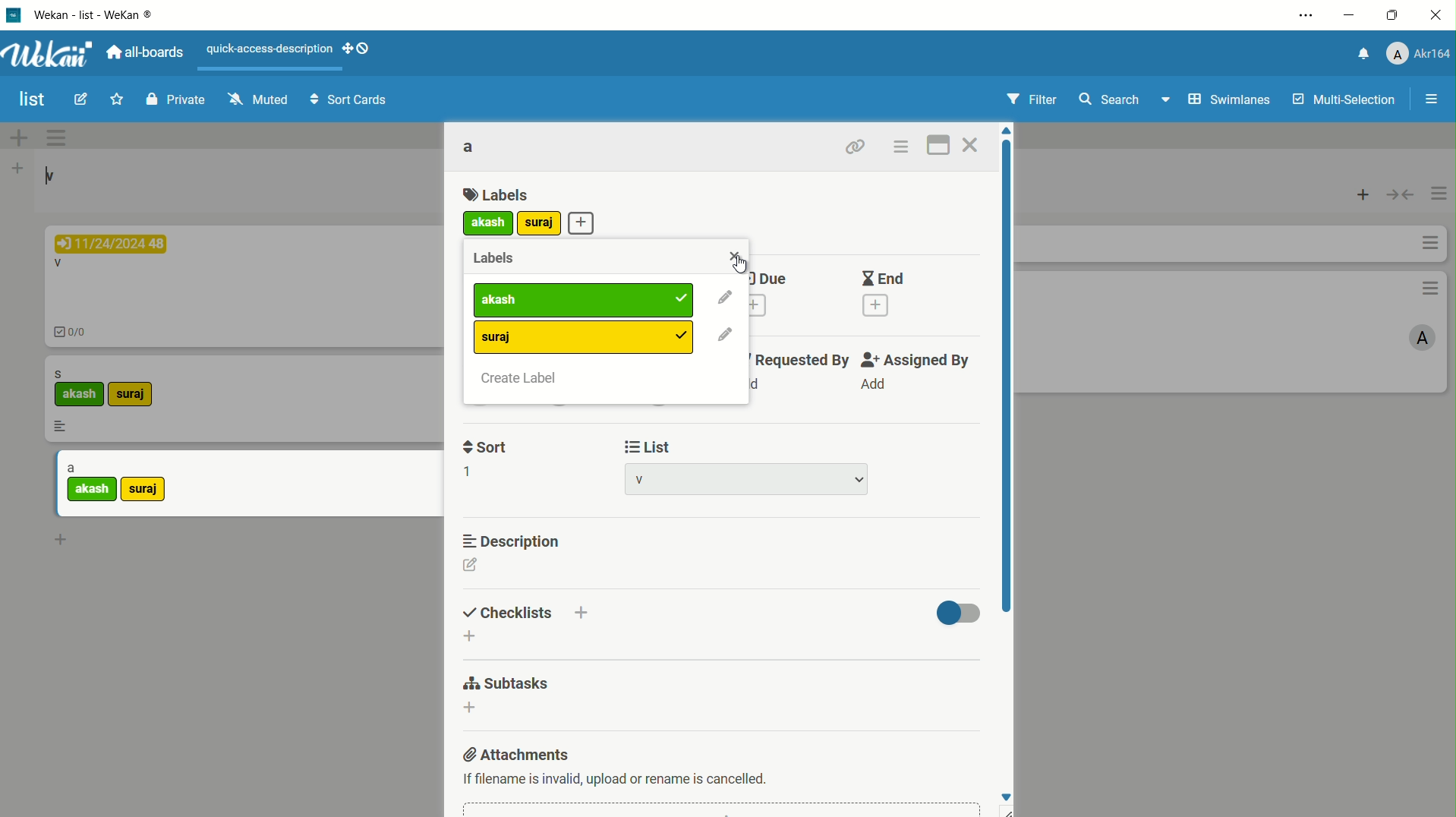 The height and width of the screenshot is (817, 1456). Describe the element at coordinates (77, 396) in the screenshot. I see `akash` at that location.